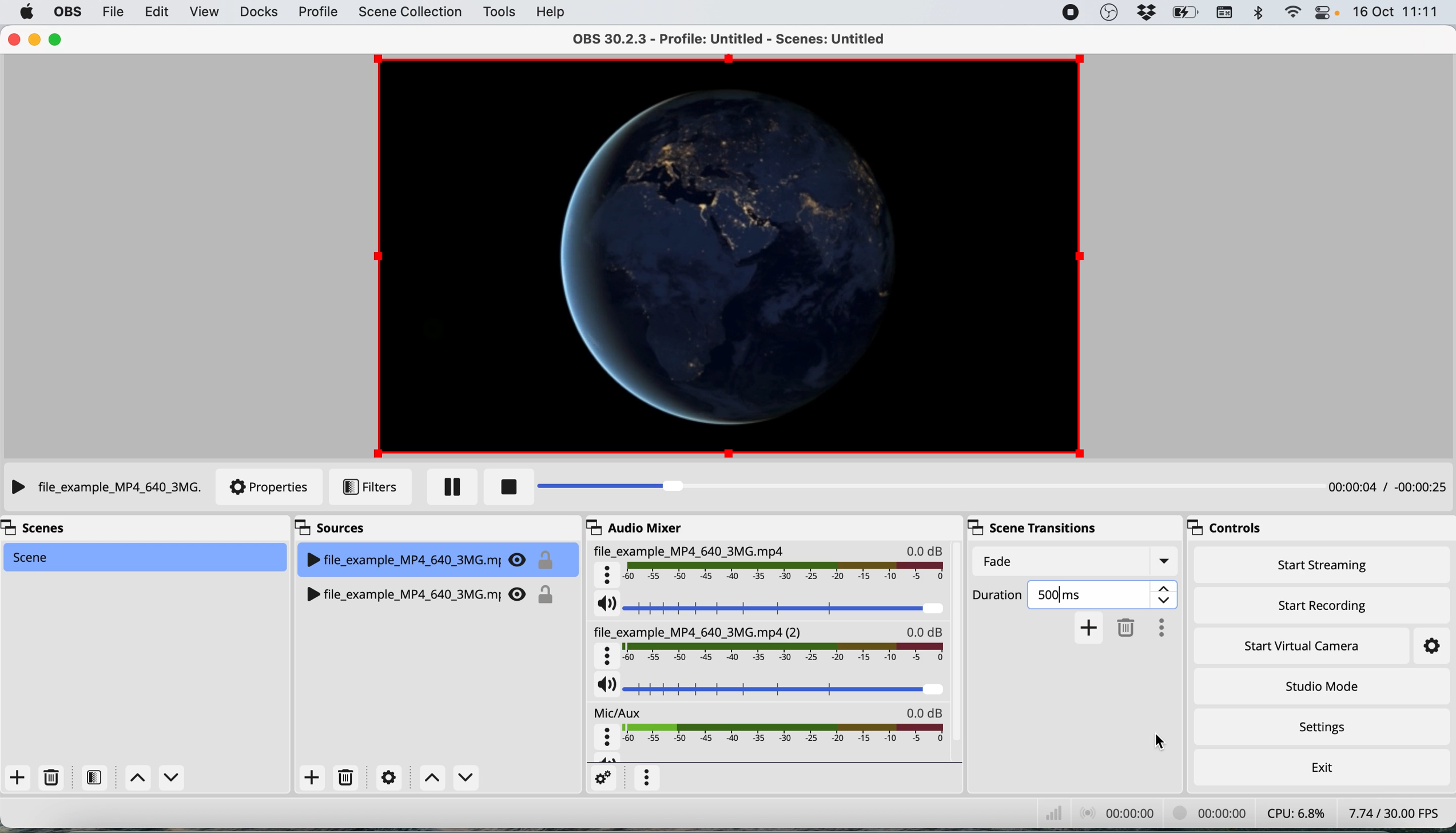  What do you see at coordinates (1120, 814) in the screenshot?
I see `audio recording timestamp` at bounding box center [1120, 814].